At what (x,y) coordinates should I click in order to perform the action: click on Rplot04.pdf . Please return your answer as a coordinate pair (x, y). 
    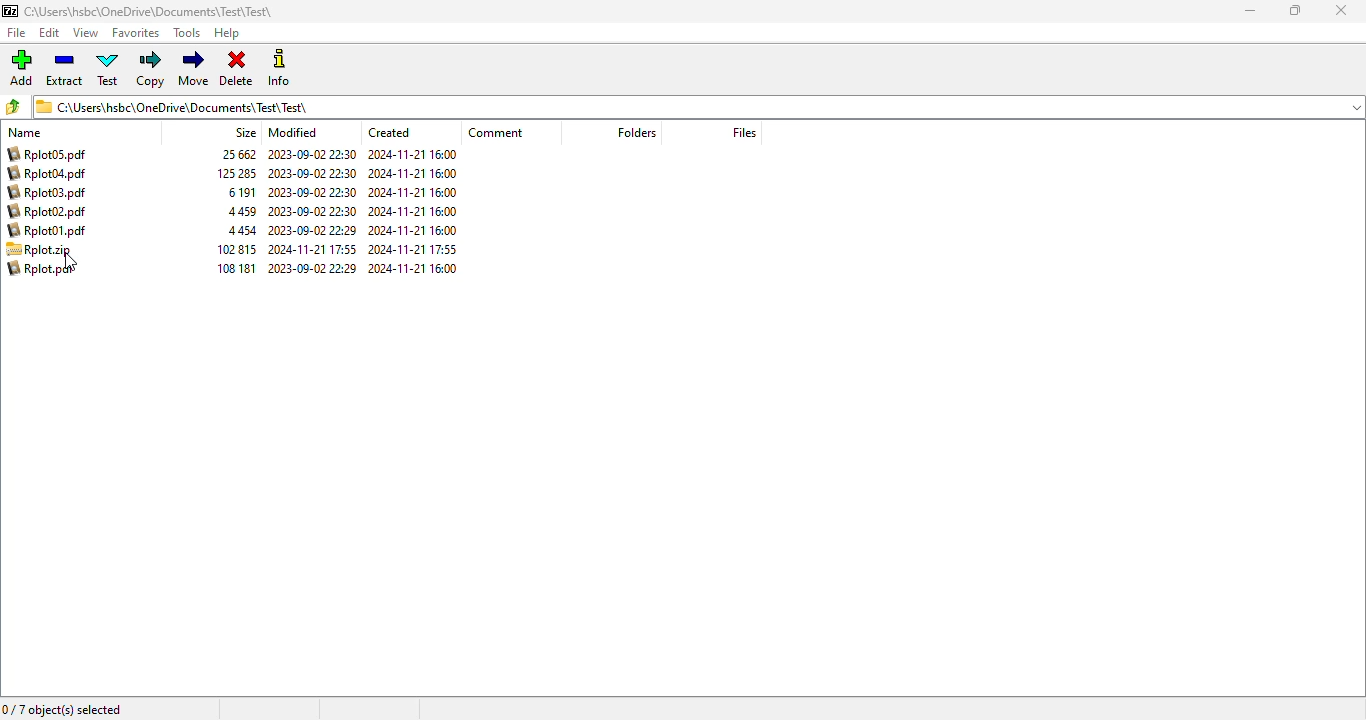
    Looking at the image, I should click on (51, 173).